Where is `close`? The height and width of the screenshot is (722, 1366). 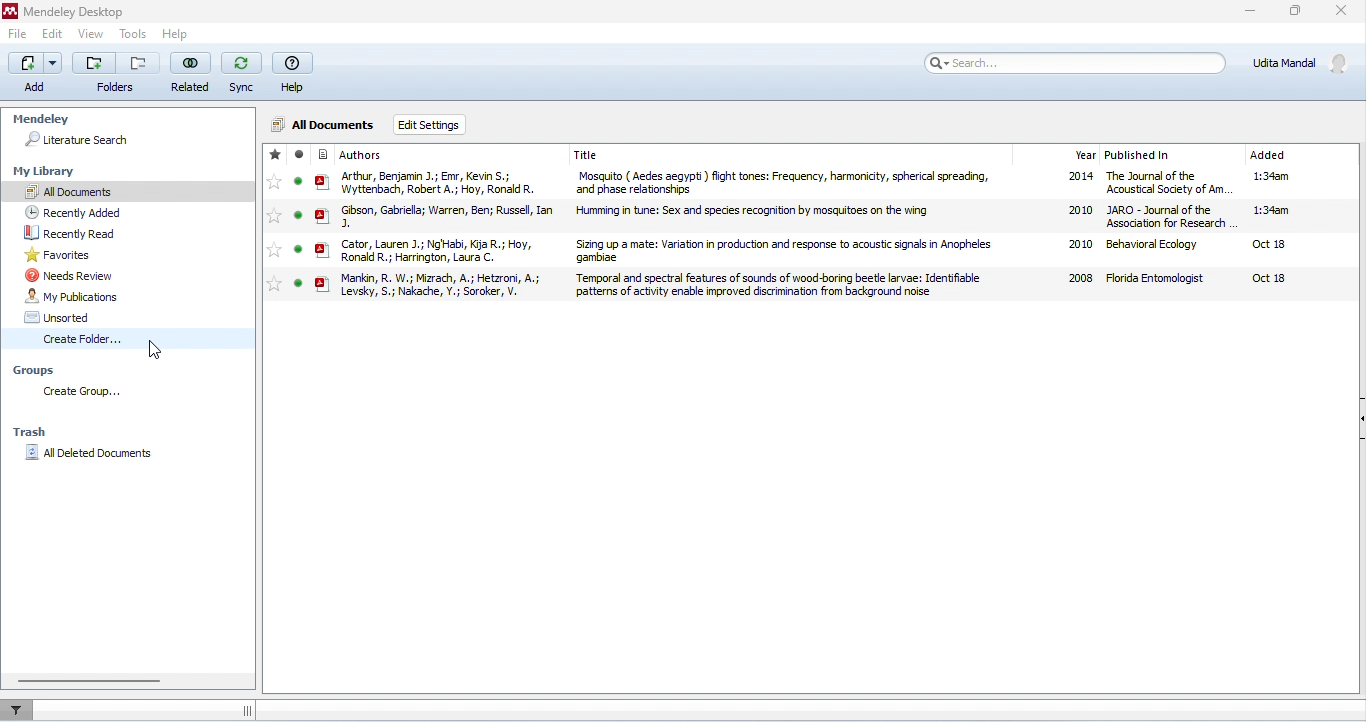
close is located at coordinates (1339, 11).